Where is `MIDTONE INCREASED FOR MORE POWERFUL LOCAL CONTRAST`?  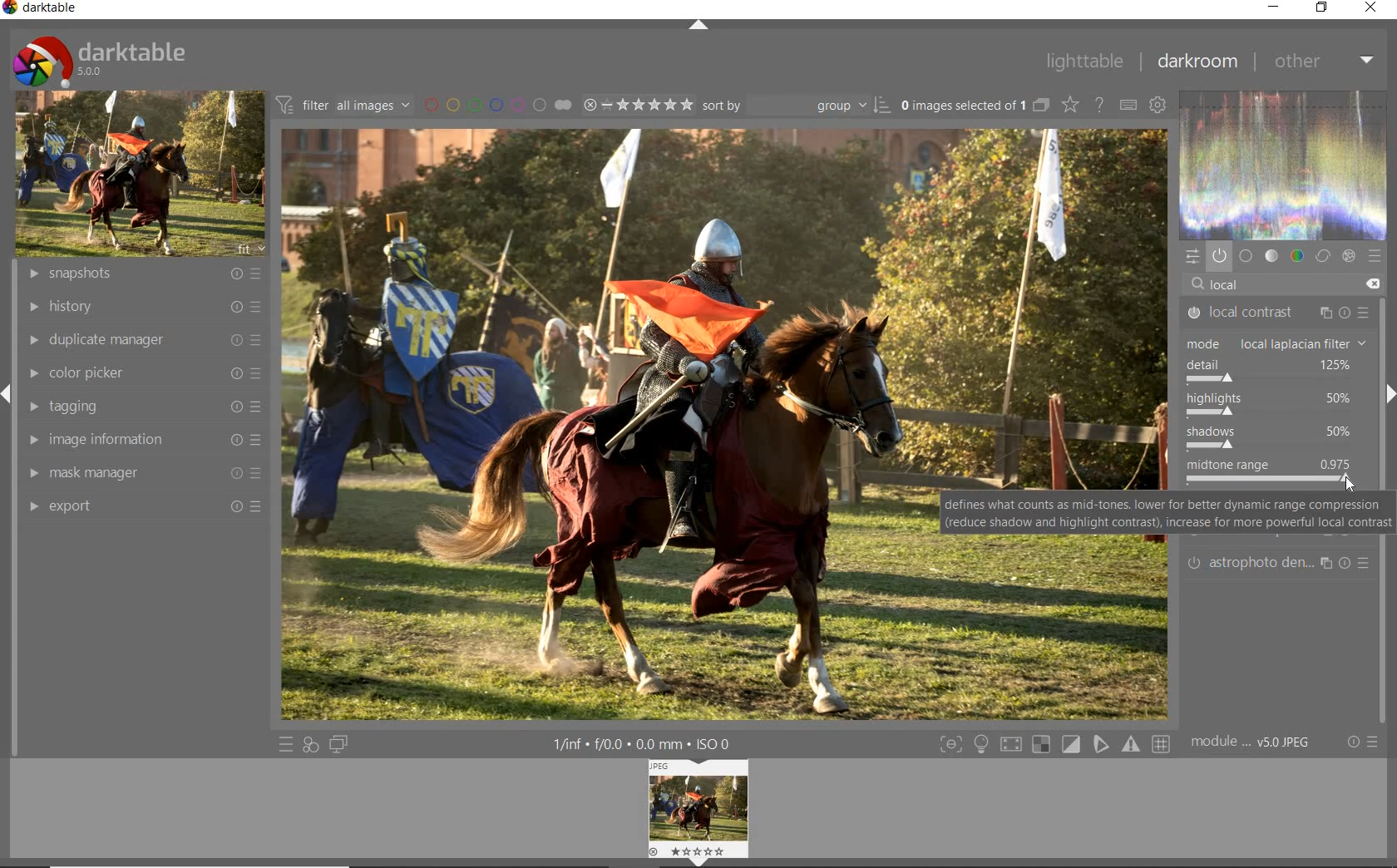 MIDTONE INCREASED FOR MORE POWERFUL LOCAL CONTRAST is located at coordinates (1276, 470).